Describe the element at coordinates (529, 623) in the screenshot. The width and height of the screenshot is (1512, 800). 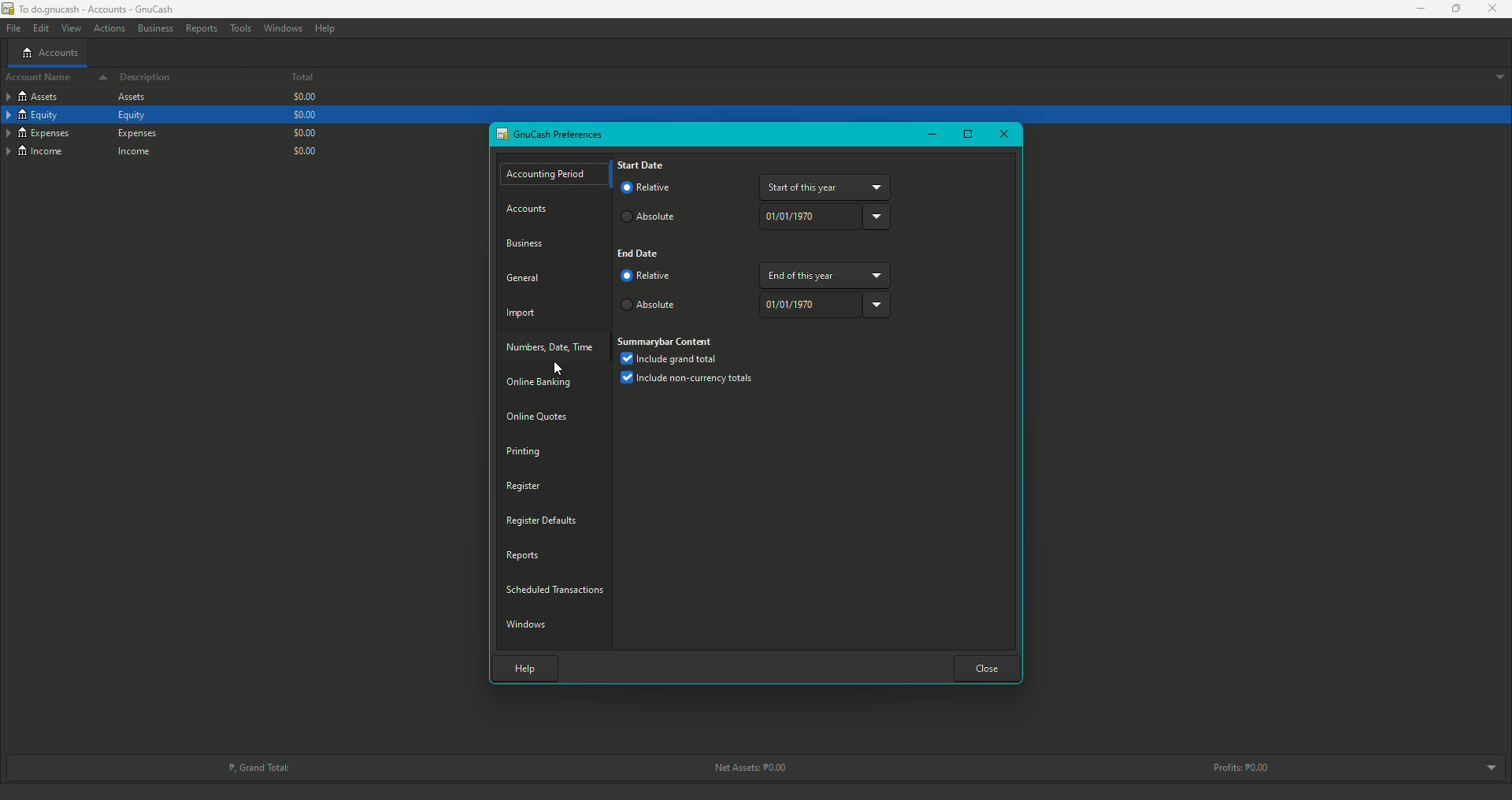
I see `Windows` at that location.